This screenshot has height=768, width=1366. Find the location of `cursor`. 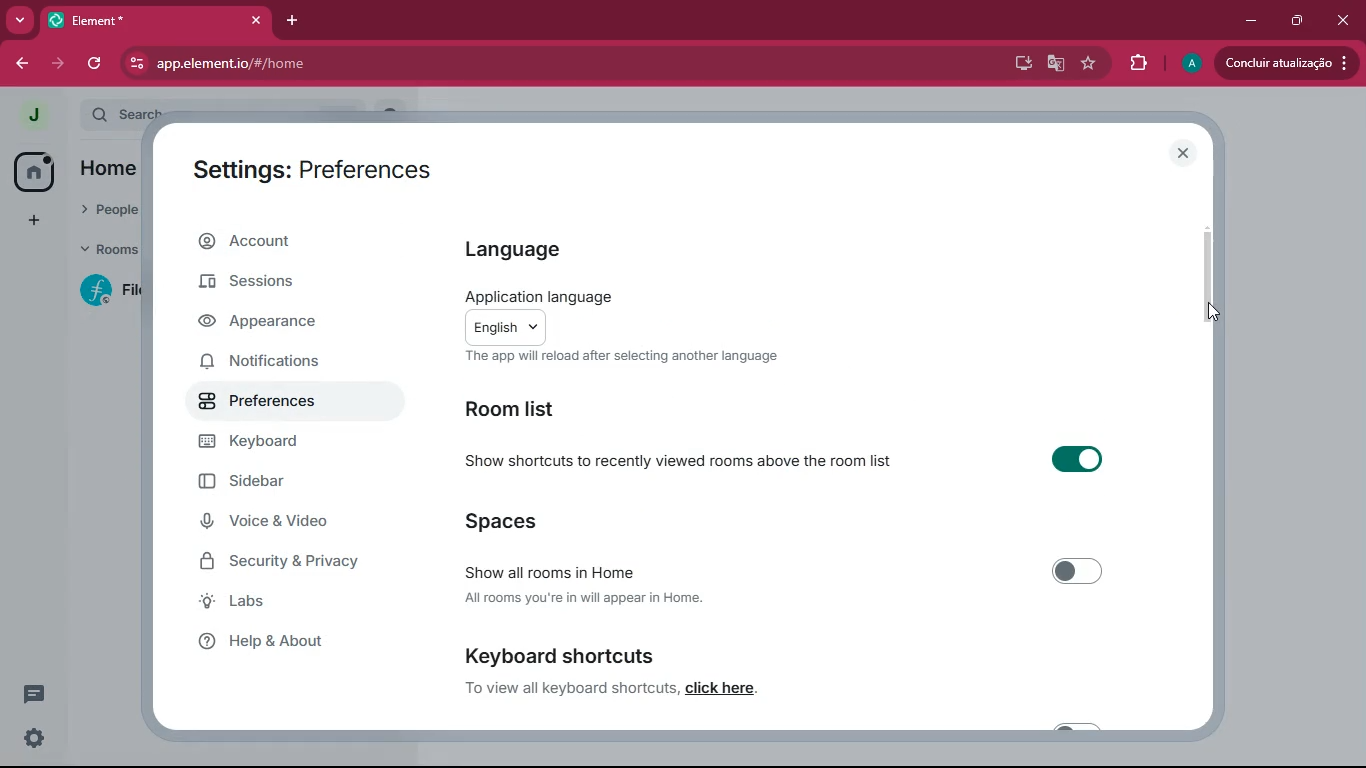

cursor is located at coordinates (1202, 313).